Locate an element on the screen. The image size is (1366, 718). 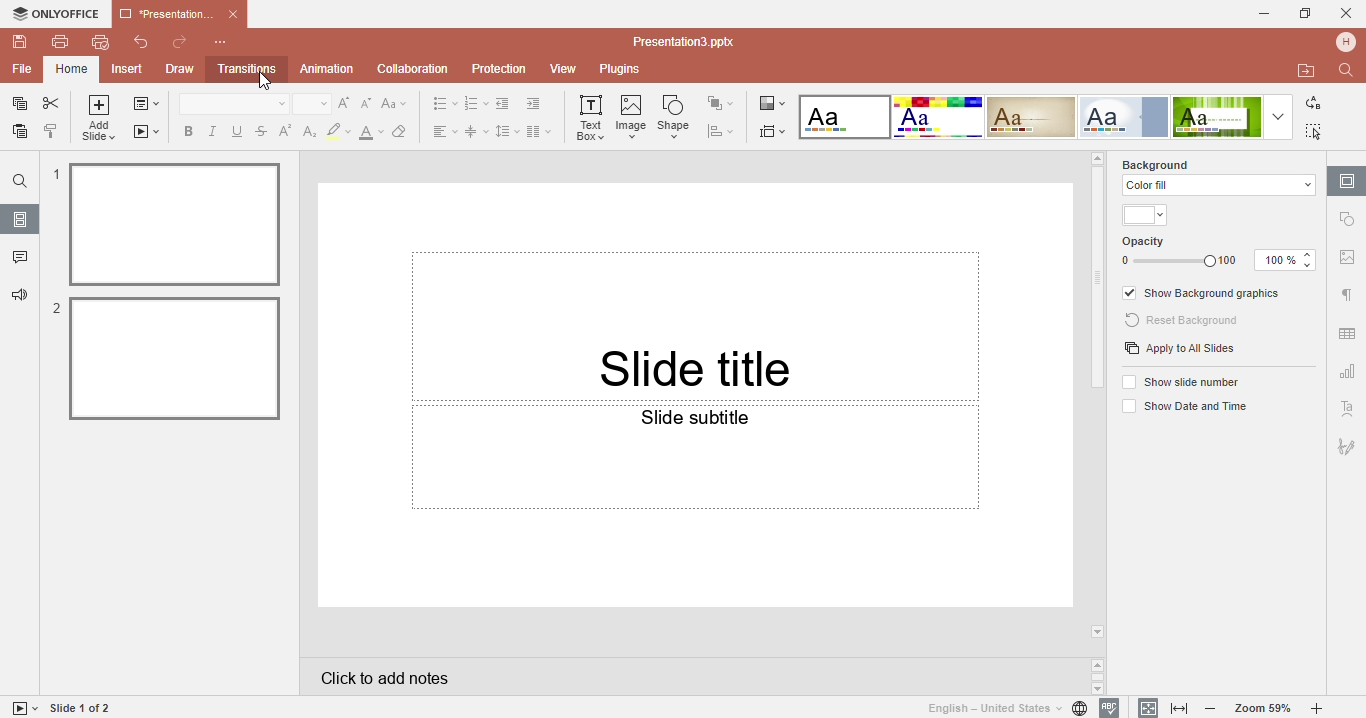
Reset background is located at coordinates (1185, 321).